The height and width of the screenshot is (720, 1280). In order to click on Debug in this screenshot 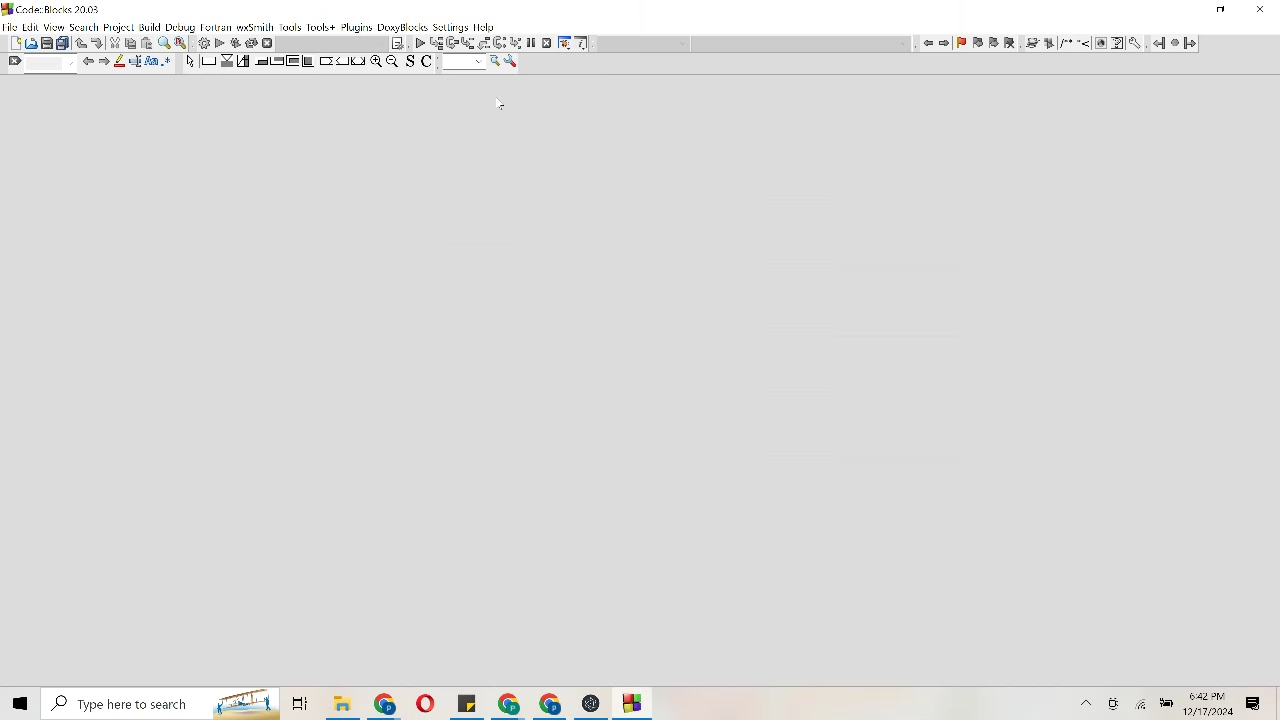, I will do `click(180, 27)`.